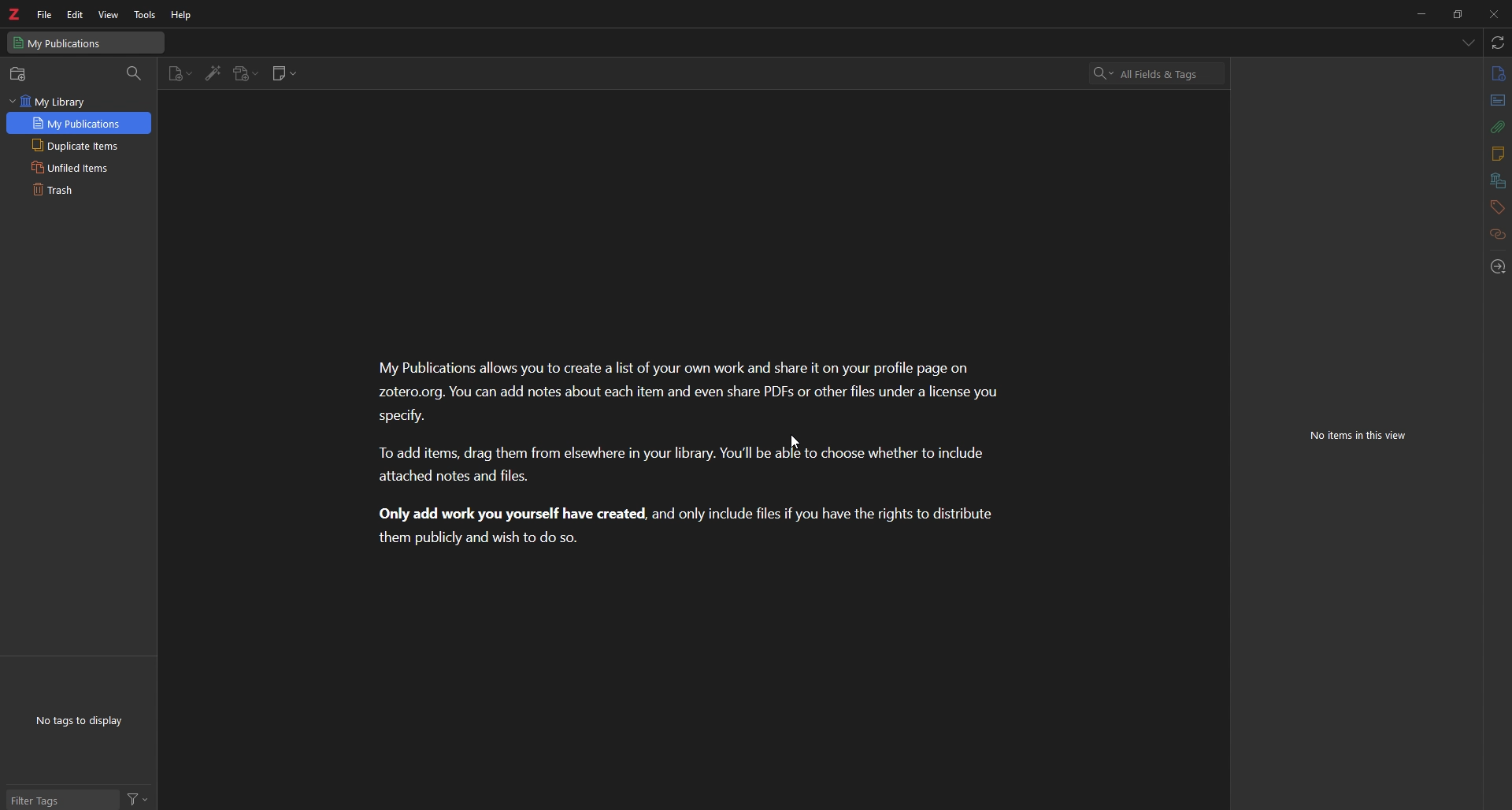 The image size is (1512, 810). What do you see at coordinates (283, 73) in the screenshot?
I see `new note` at bounding box center [283, 73].